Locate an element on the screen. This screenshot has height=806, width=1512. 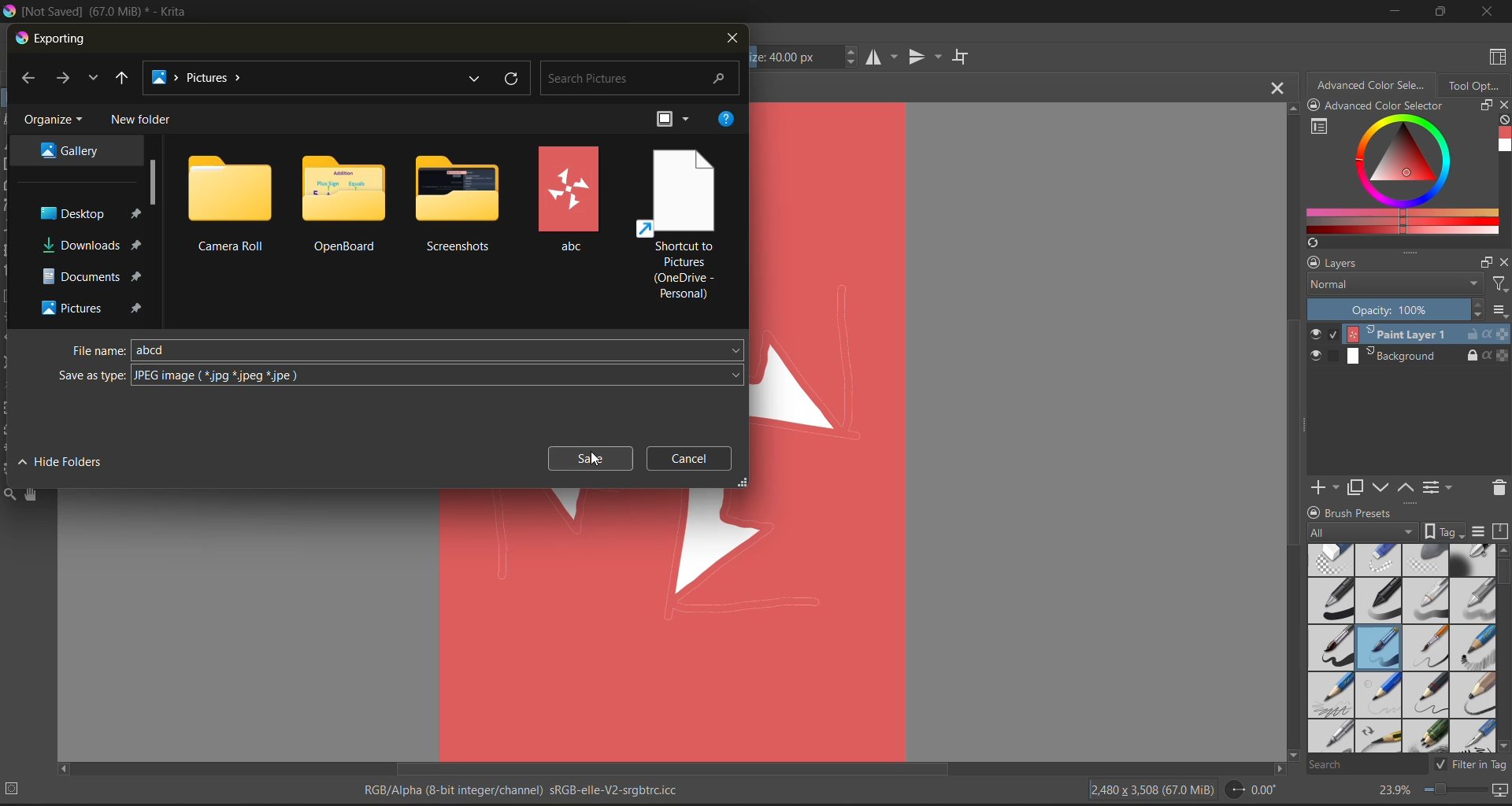
size is located at coordinates (803, 59).